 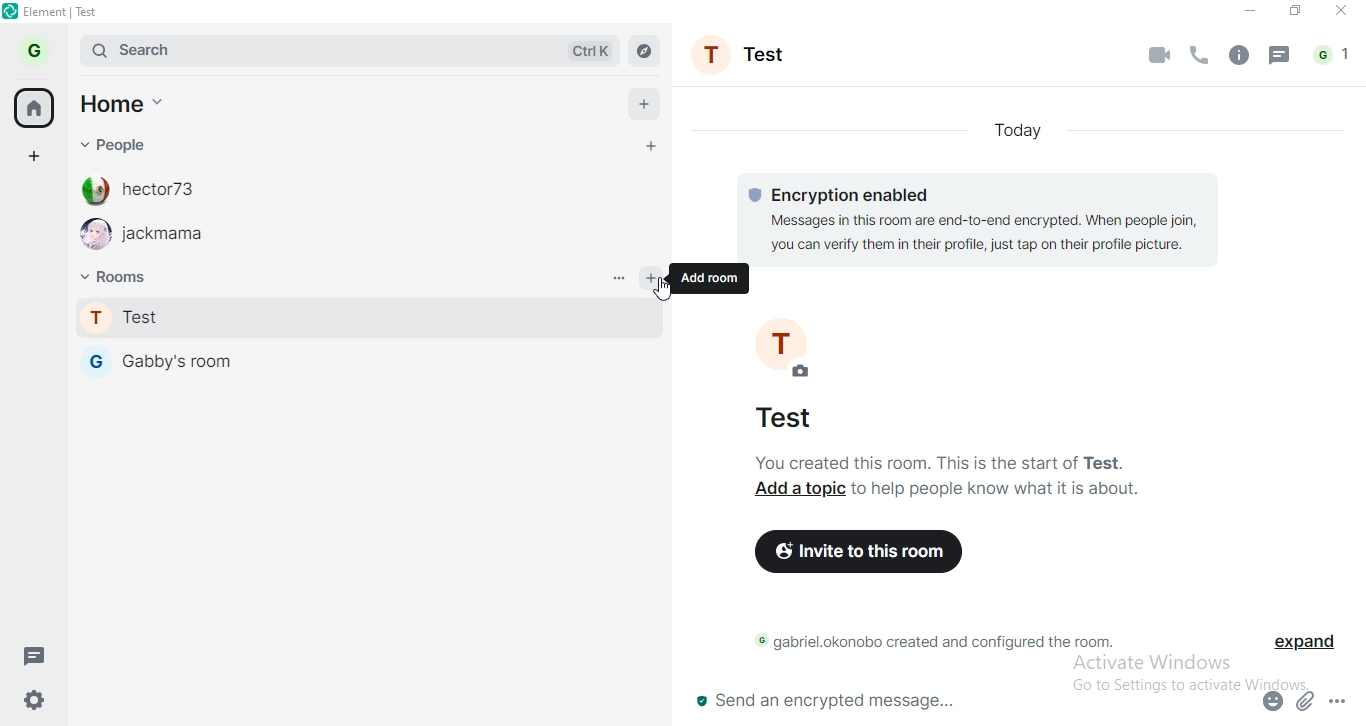 I want to click on video call, so click(x=1162, y=56).